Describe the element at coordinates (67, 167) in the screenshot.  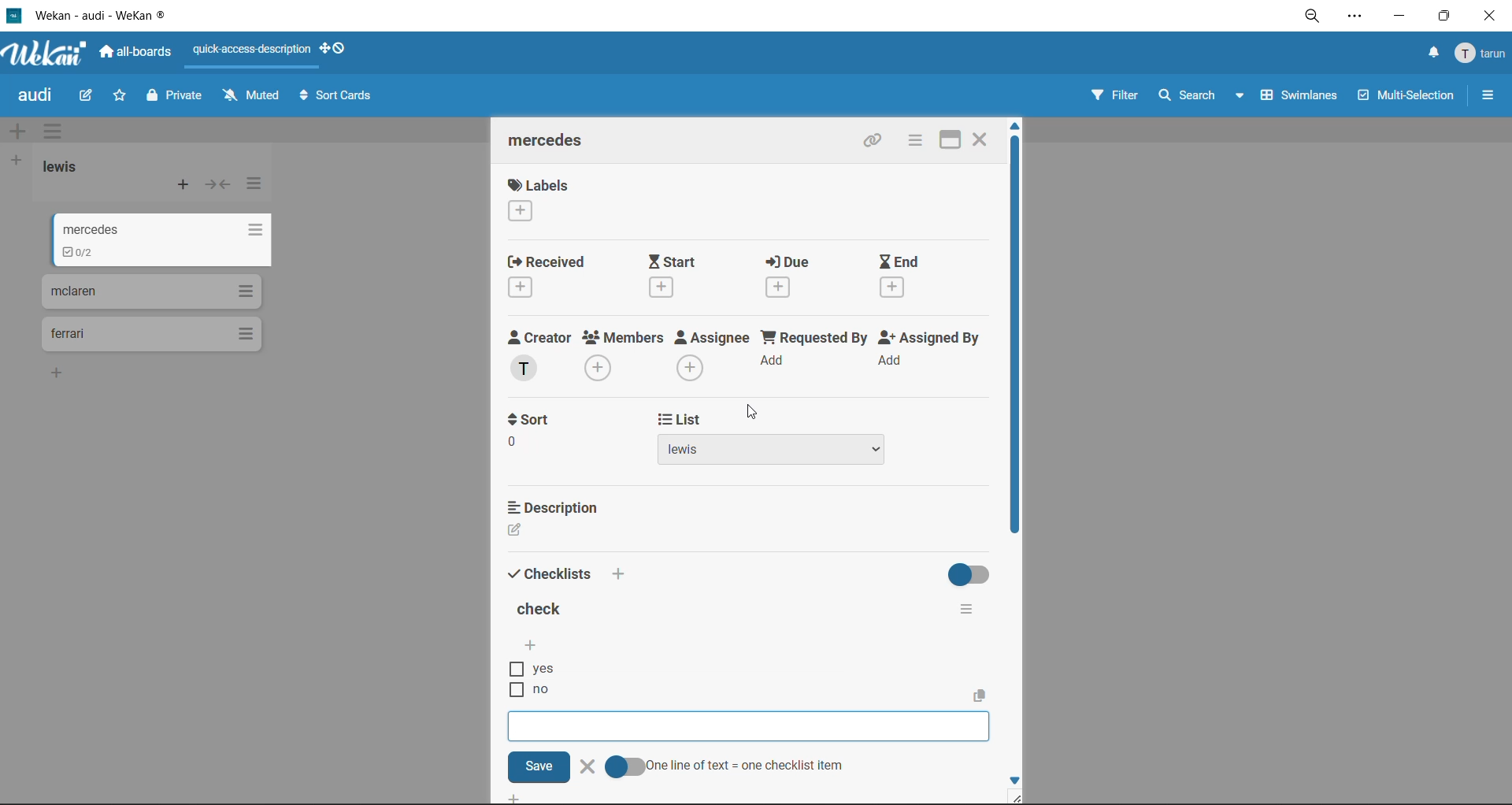
I see `list title` at that location.